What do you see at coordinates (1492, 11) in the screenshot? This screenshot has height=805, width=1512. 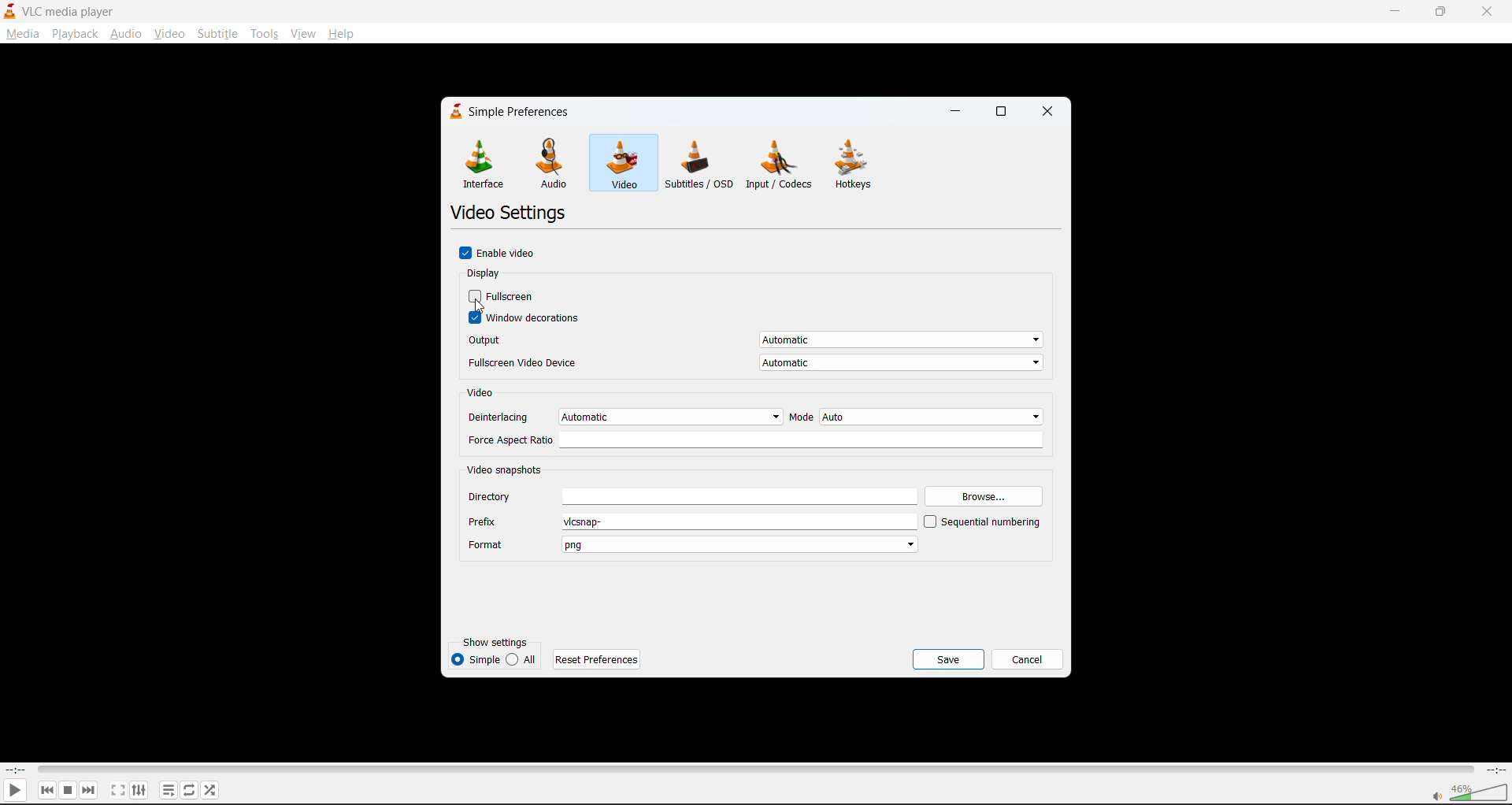 I see `close` at bounding box center [1492, 11].